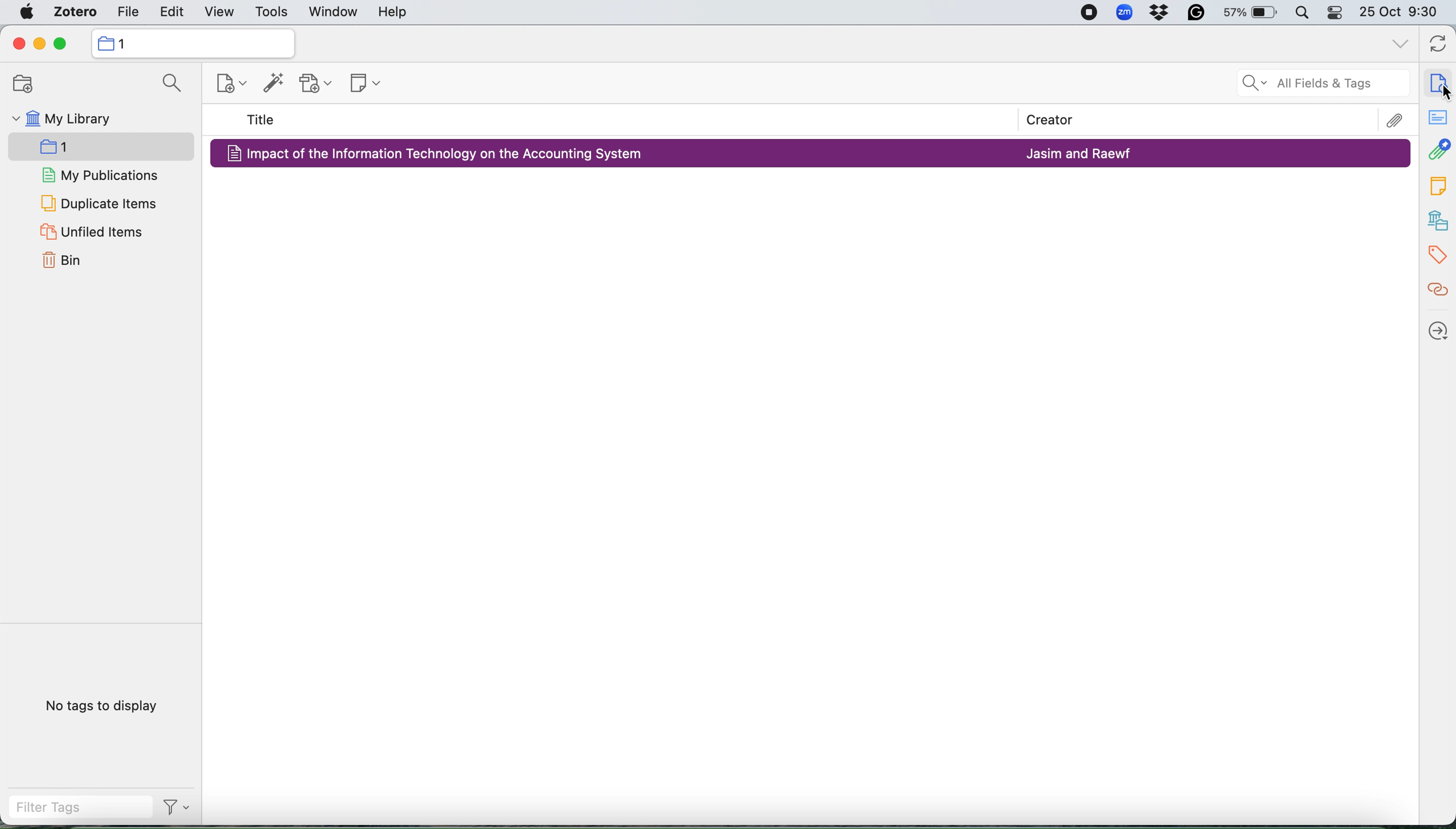 This screenshot has width=1456, height=829. Describe the element at coordinates (96, 233) in the screenshot. I see `unfiled items` at that location.